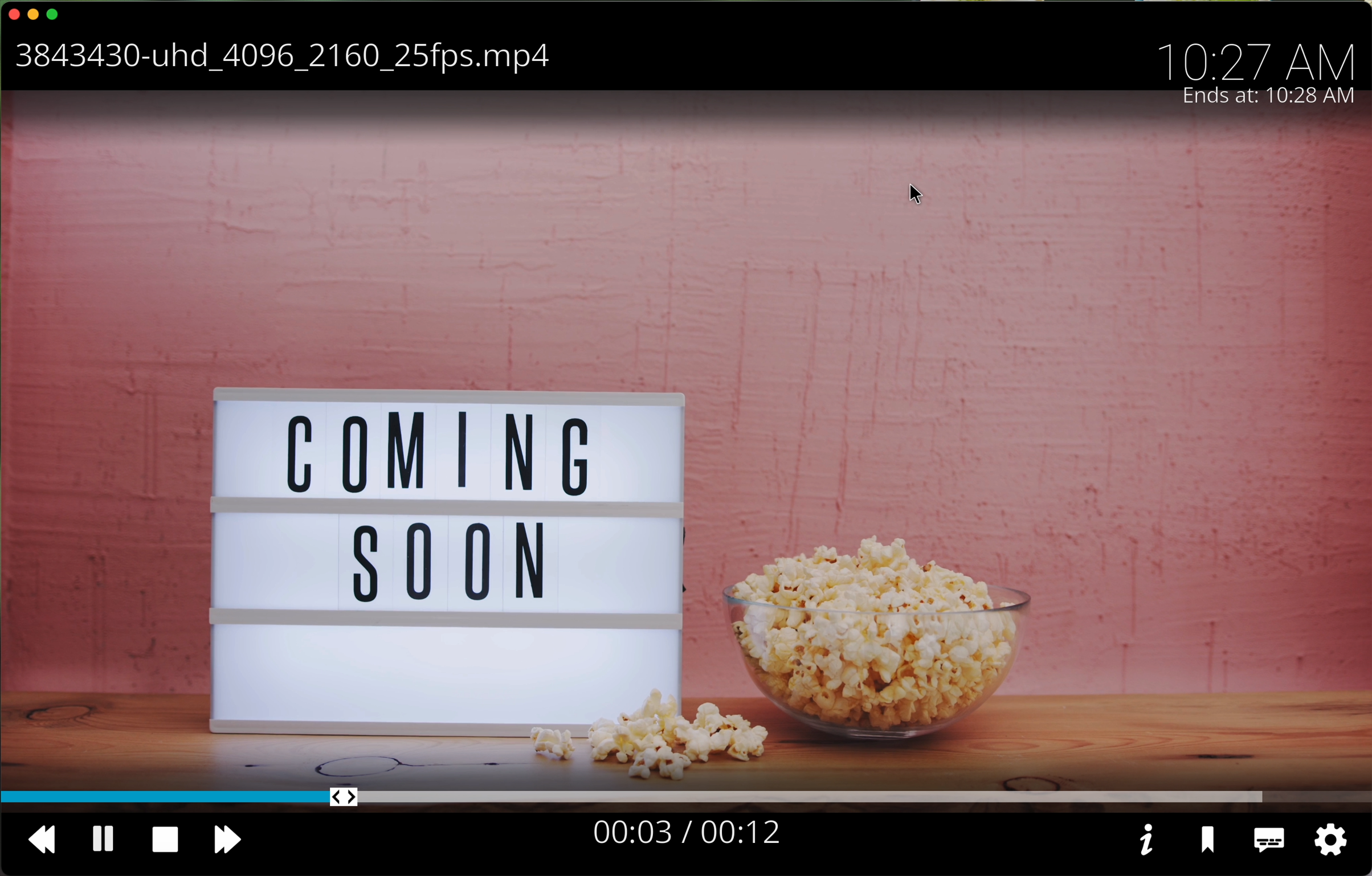  I want to click on pause, so click(106, 837).